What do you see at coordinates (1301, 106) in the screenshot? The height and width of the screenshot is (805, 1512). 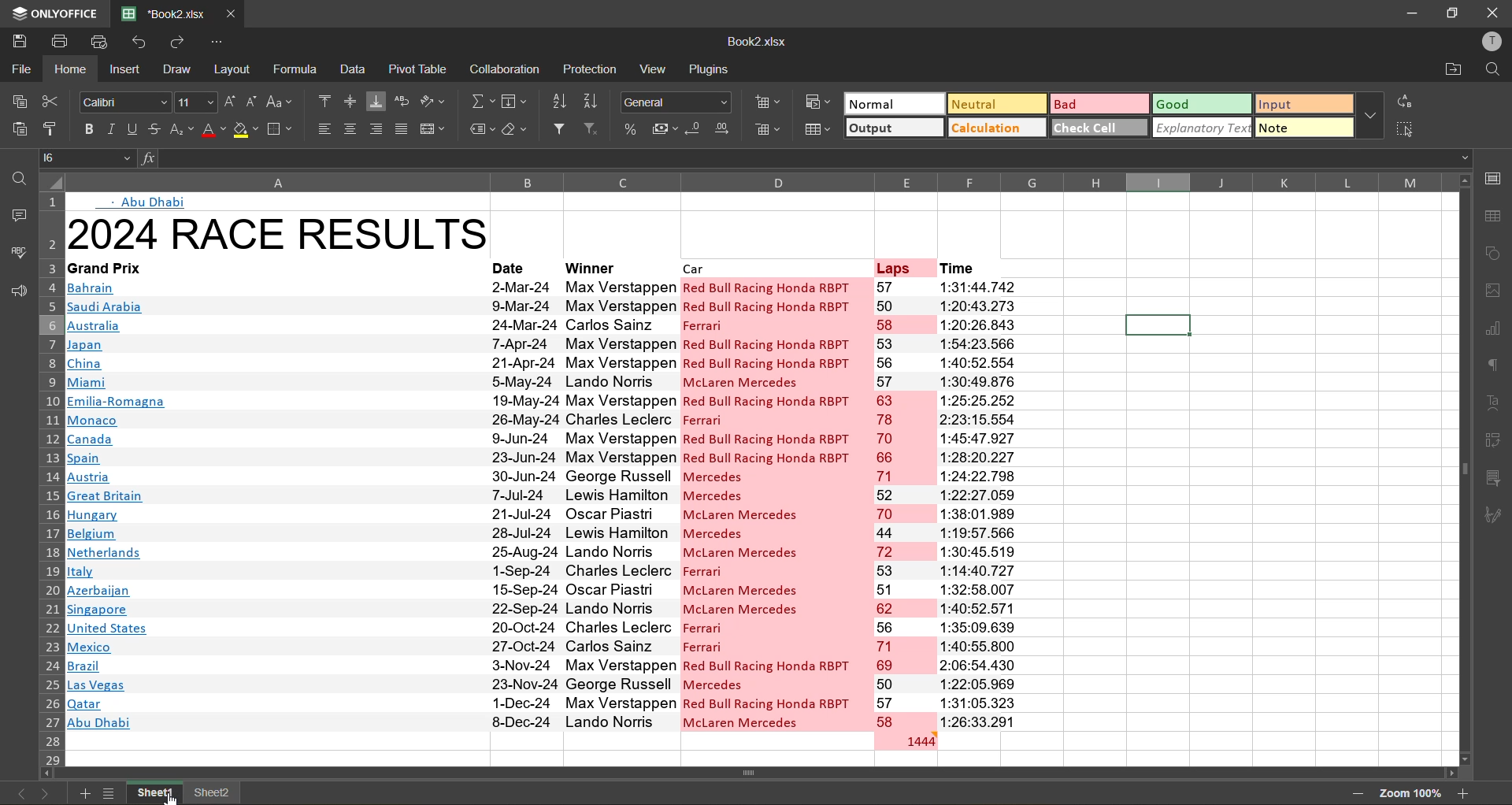 I see `input` at bounding box center [1301, 106].